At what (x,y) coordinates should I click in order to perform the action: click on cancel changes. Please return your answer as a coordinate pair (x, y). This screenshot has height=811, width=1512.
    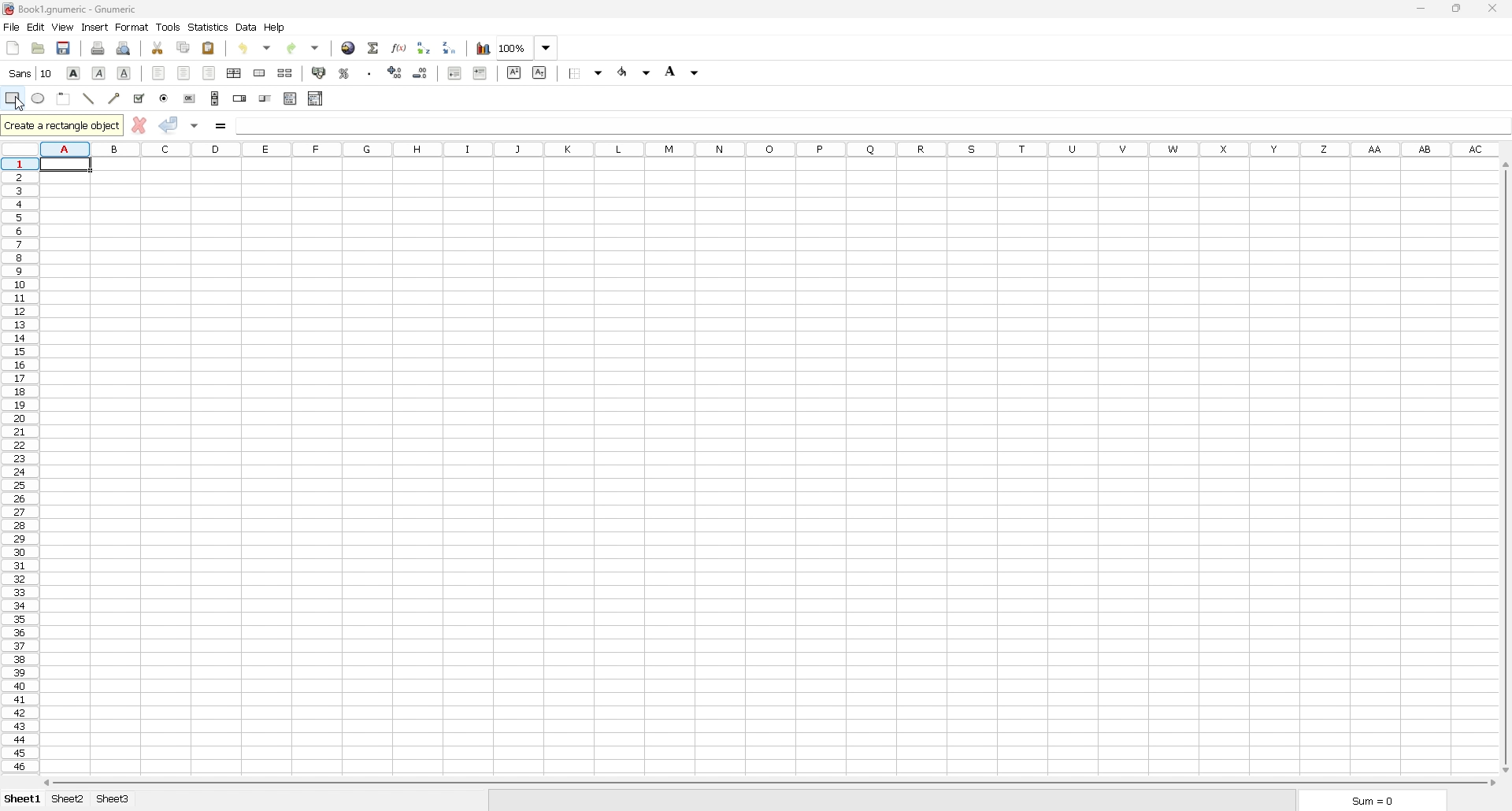
    Looking at the image, I should click on (139, 124).